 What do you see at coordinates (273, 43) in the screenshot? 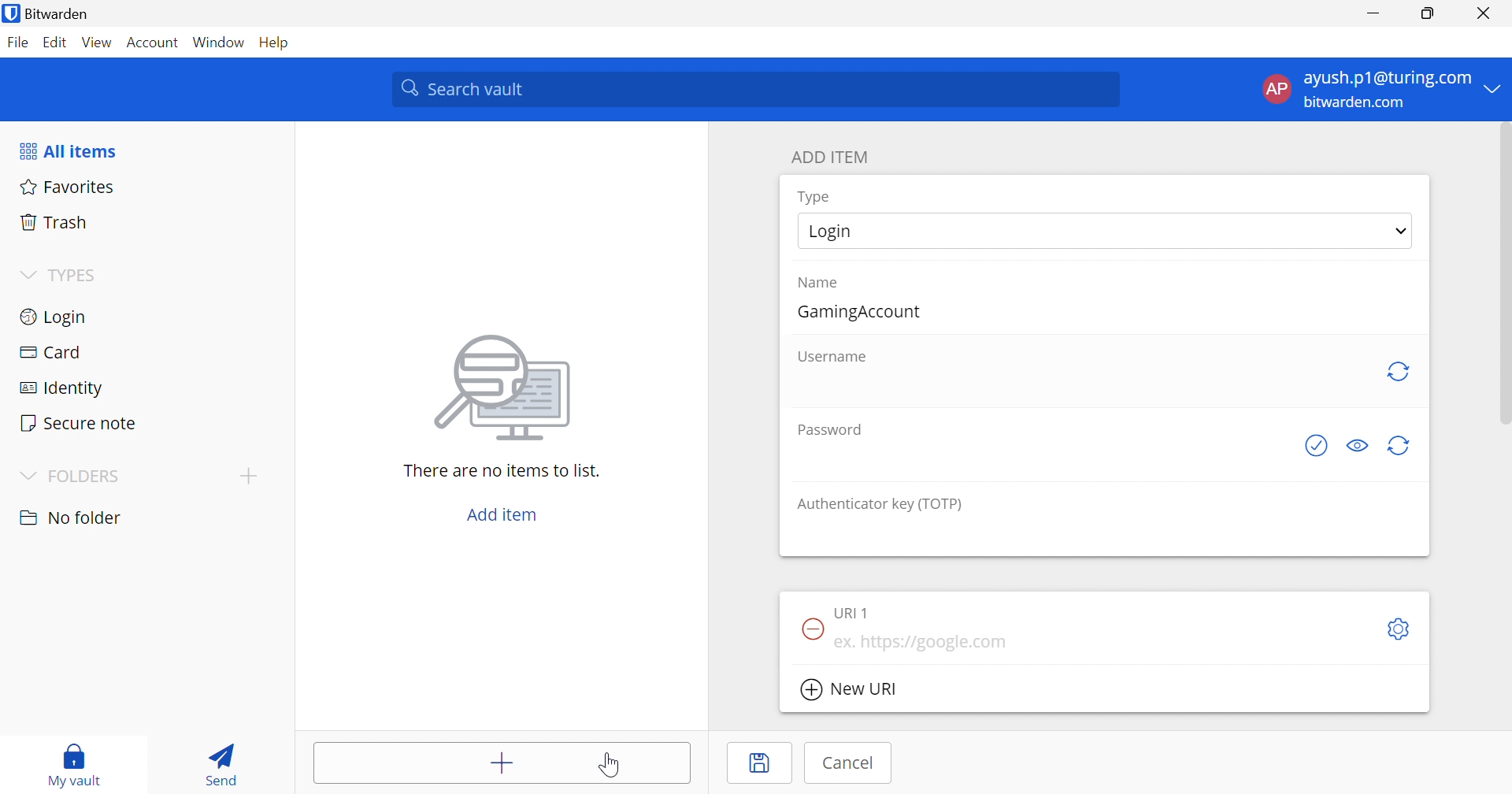
I see `Help` at bounding box center [273, 43].